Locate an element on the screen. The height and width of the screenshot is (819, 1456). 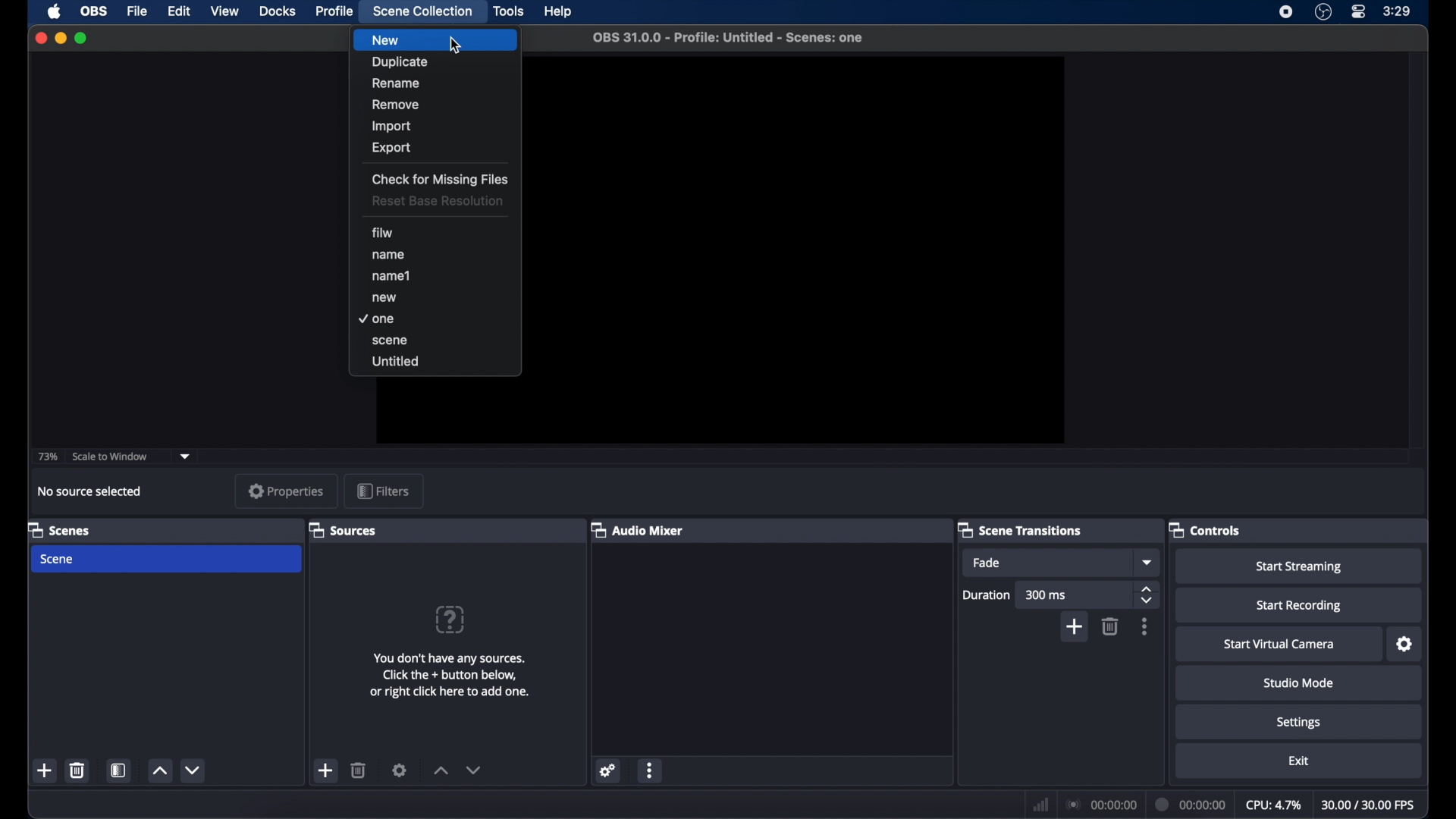
decrement is located at coordinates (475, 770).